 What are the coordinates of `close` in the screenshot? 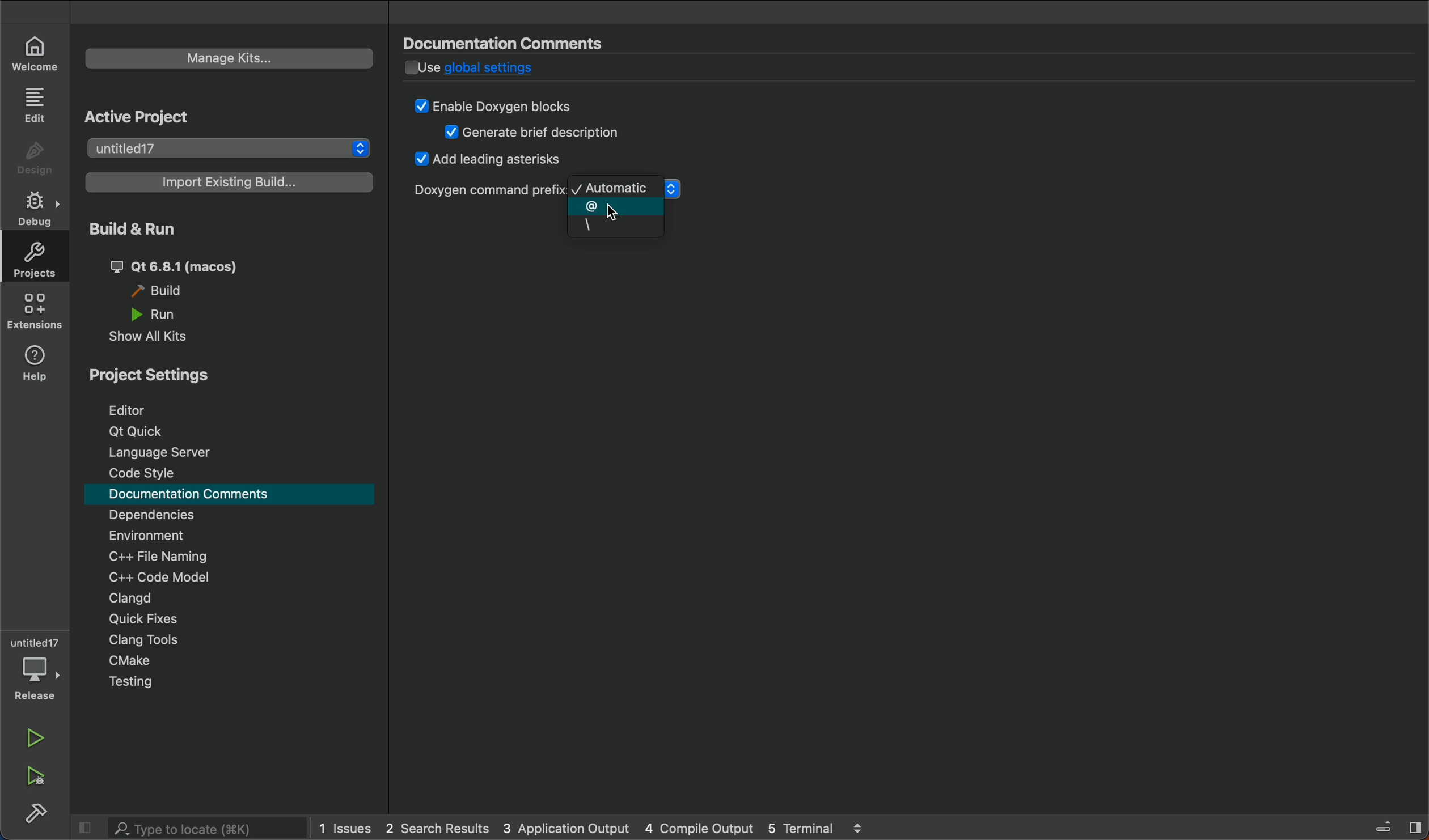 It's located at (1394, 826).